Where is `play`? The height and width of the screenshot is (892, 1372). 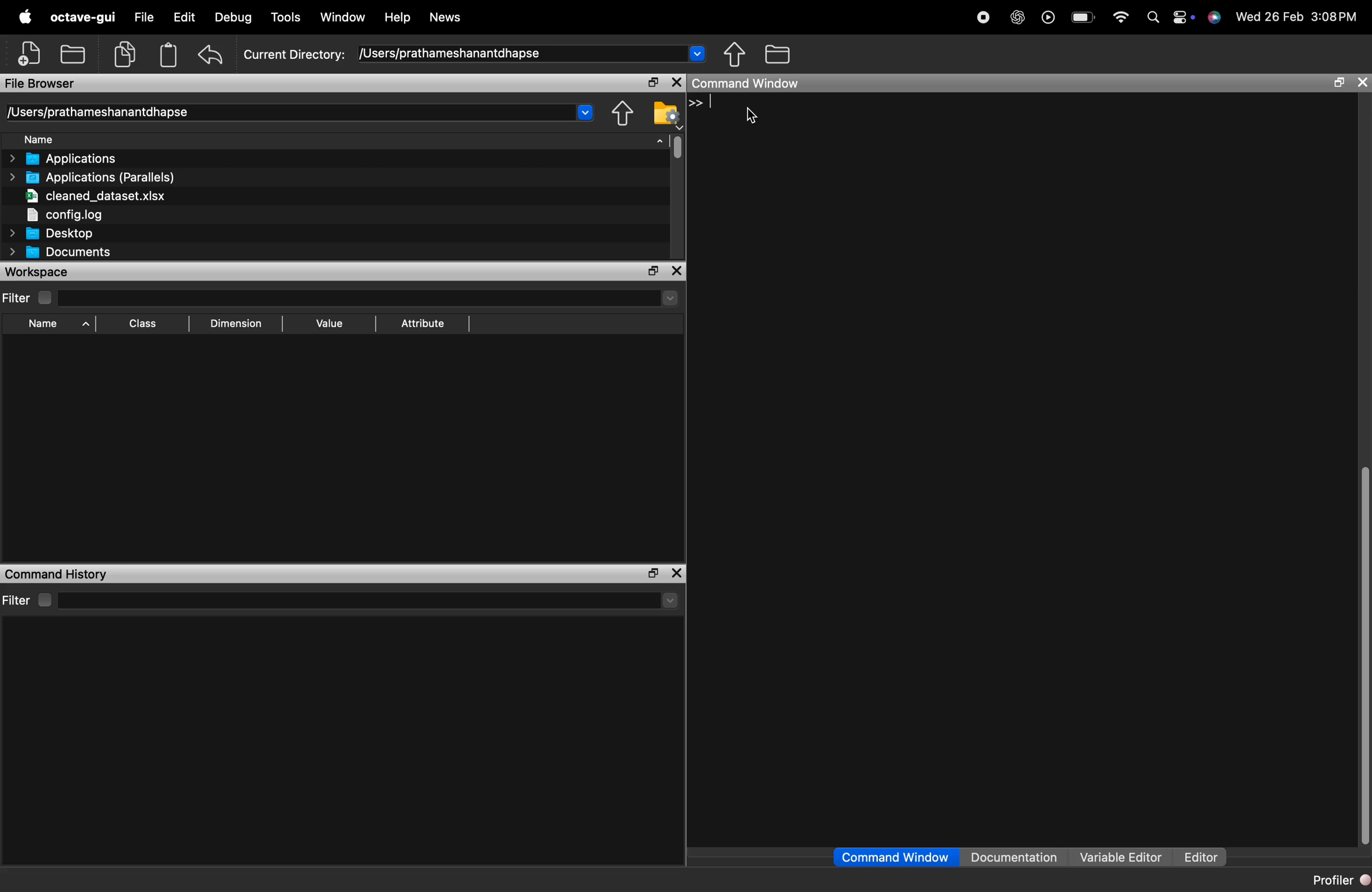
play is located at coordinates (1047, 17).